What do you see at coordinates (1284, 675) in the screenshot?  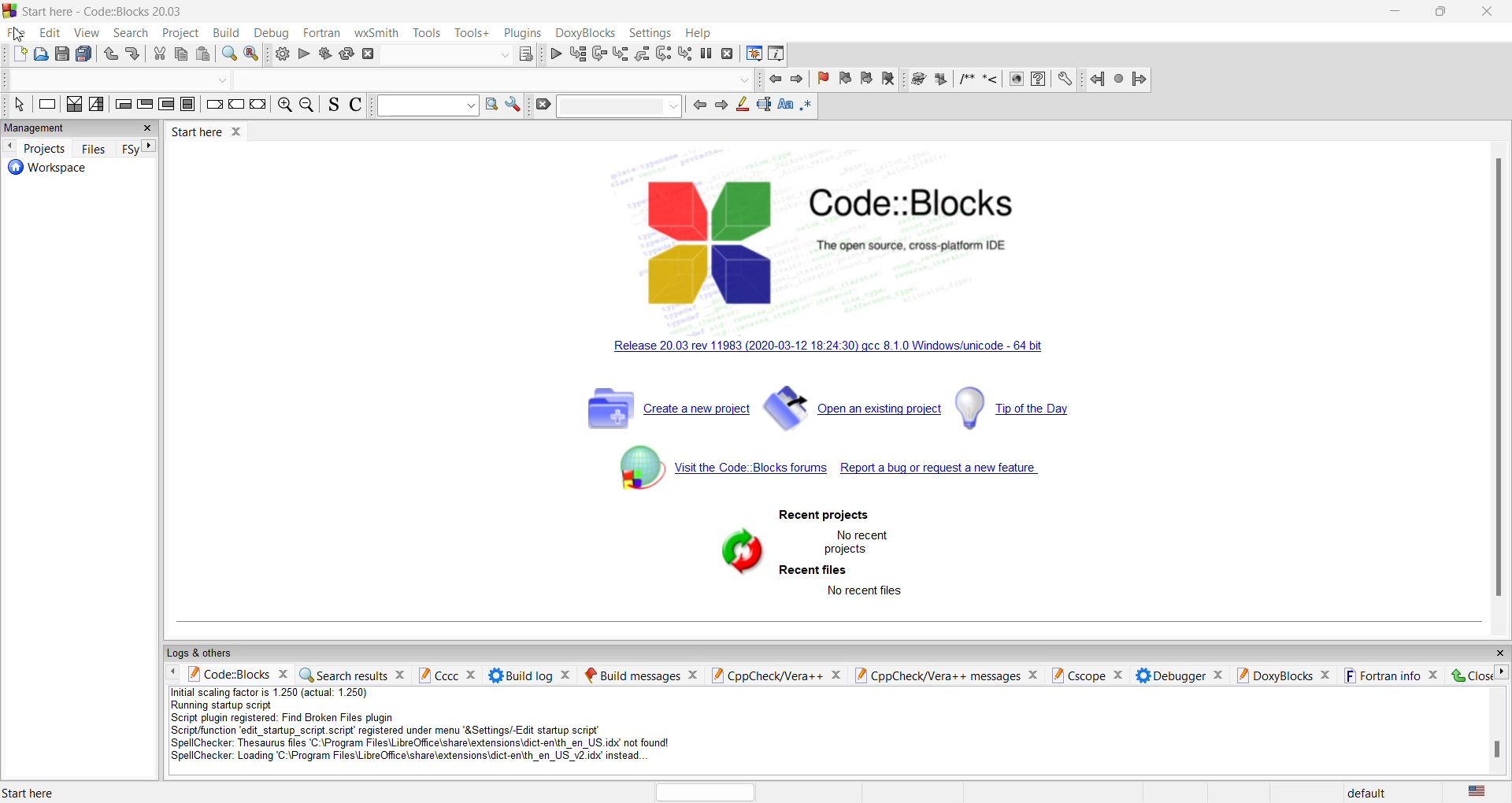 I see `Doxyblocks` at bounding box center [1284, 675].